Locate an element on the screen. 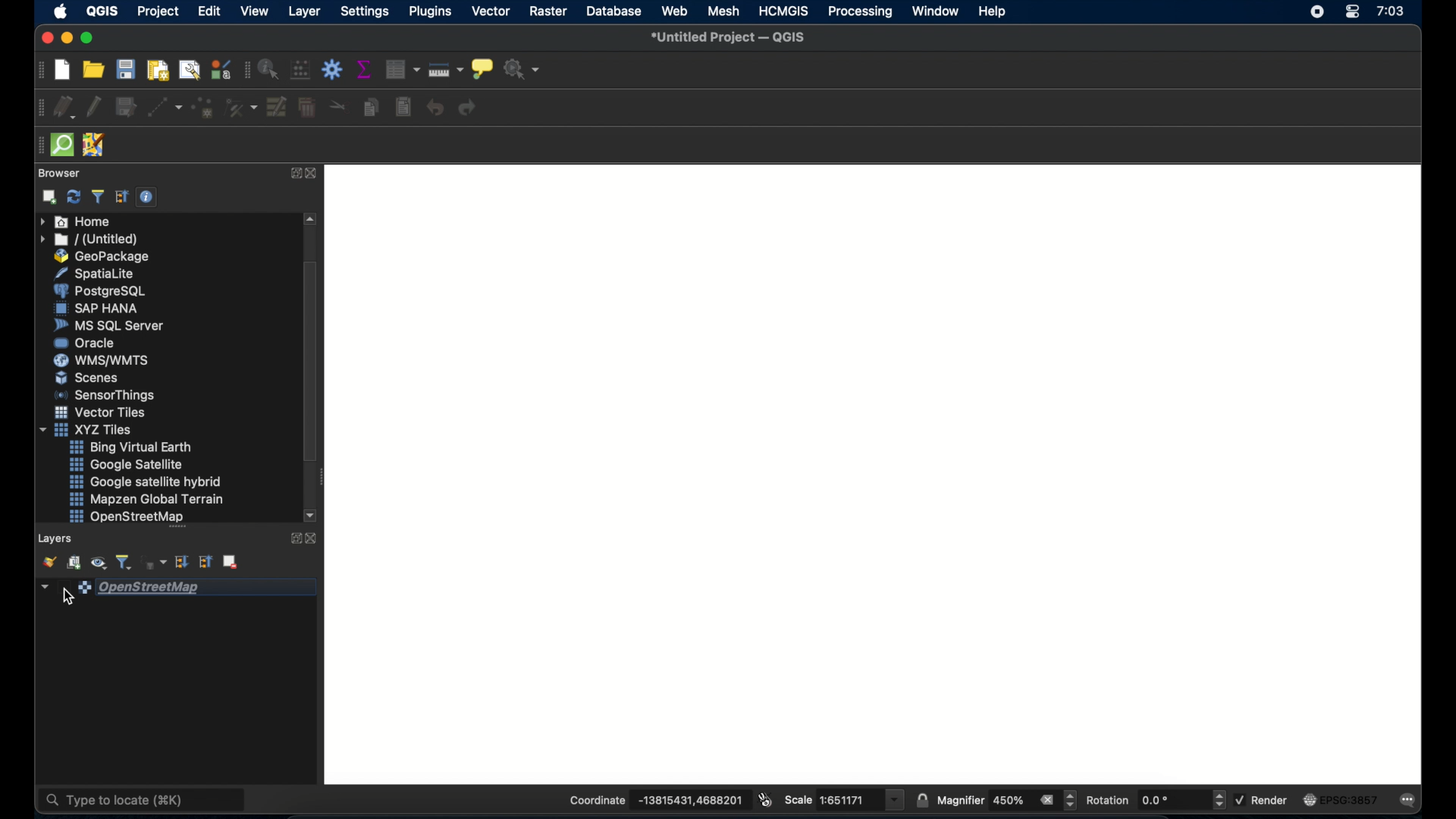 The width and height of the screenshot is (1456, 819). scroll downarrow is located at coordinates (315, 516).